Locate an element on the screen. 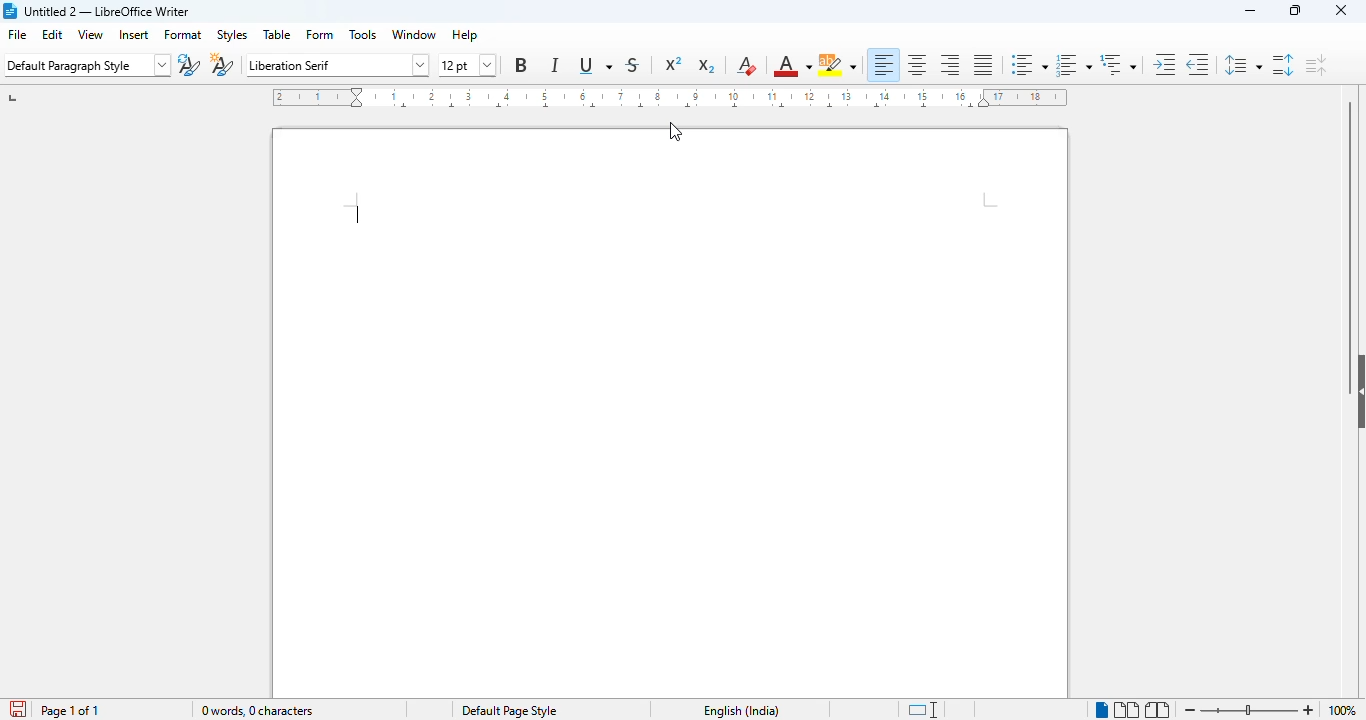 The width and height of the screenshot is (1366, 720). minimize is located at coordinates (1251, 11).